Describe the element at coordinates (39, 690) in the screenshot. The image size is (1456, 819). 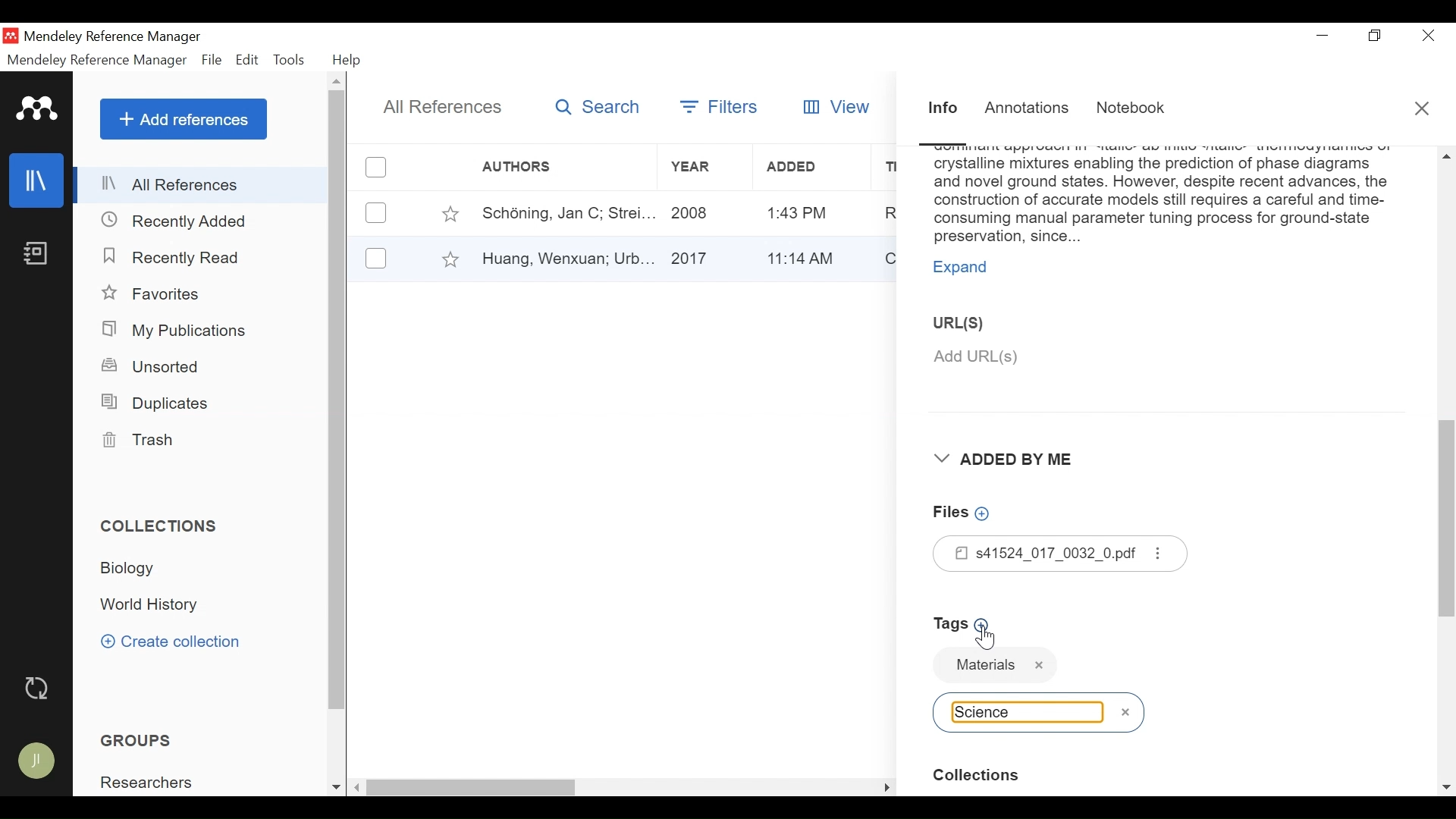
I see `Sync` at that location.